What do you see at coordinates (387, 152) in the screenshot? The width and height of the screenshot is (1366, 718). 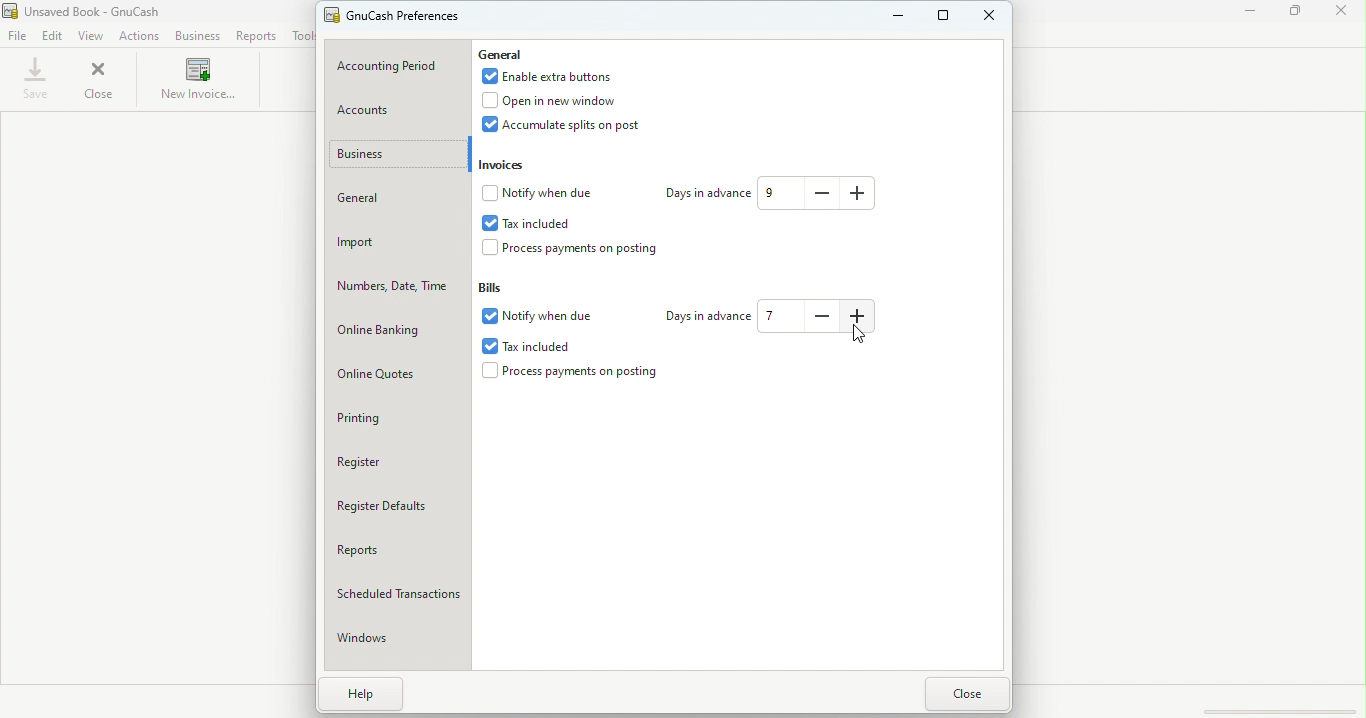 I see `Business` at bounding box center [387, 152].